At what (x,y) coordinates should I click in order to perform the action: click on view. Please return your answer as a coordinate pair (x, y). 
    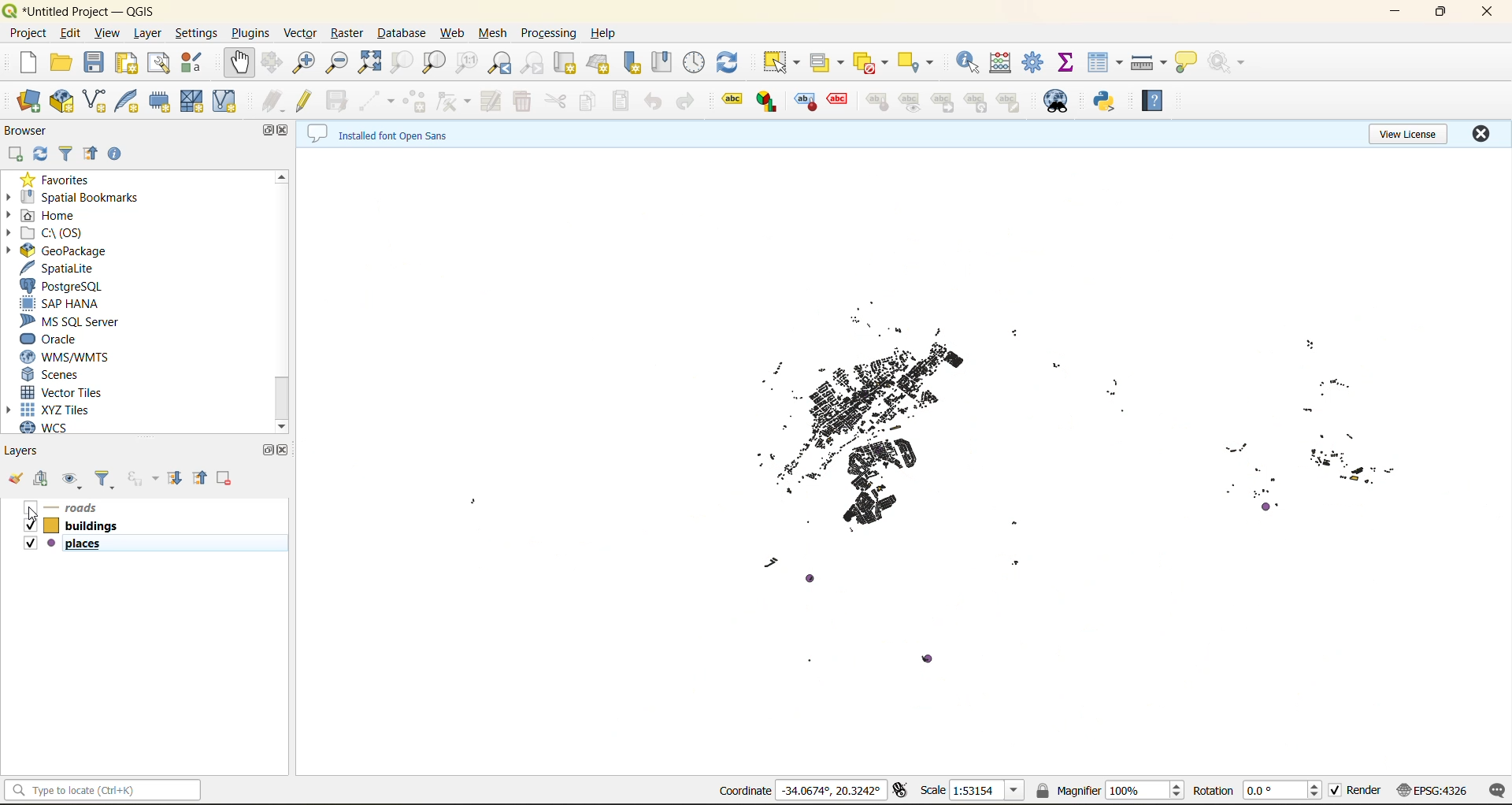
    Looking at the image, I should click on (111, 33).